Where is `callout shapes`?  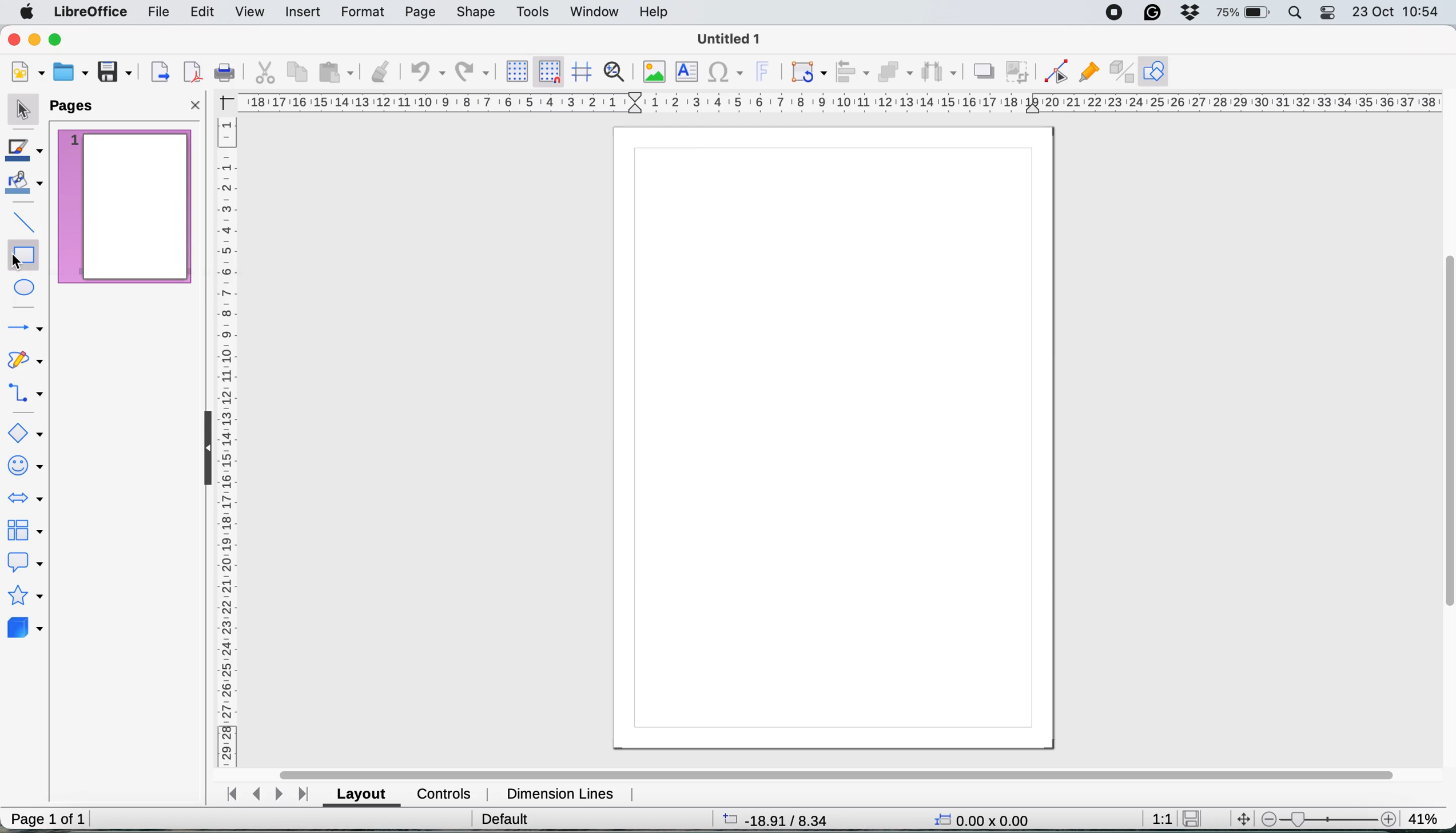 callout shapes is located at coordinates (26, 563).